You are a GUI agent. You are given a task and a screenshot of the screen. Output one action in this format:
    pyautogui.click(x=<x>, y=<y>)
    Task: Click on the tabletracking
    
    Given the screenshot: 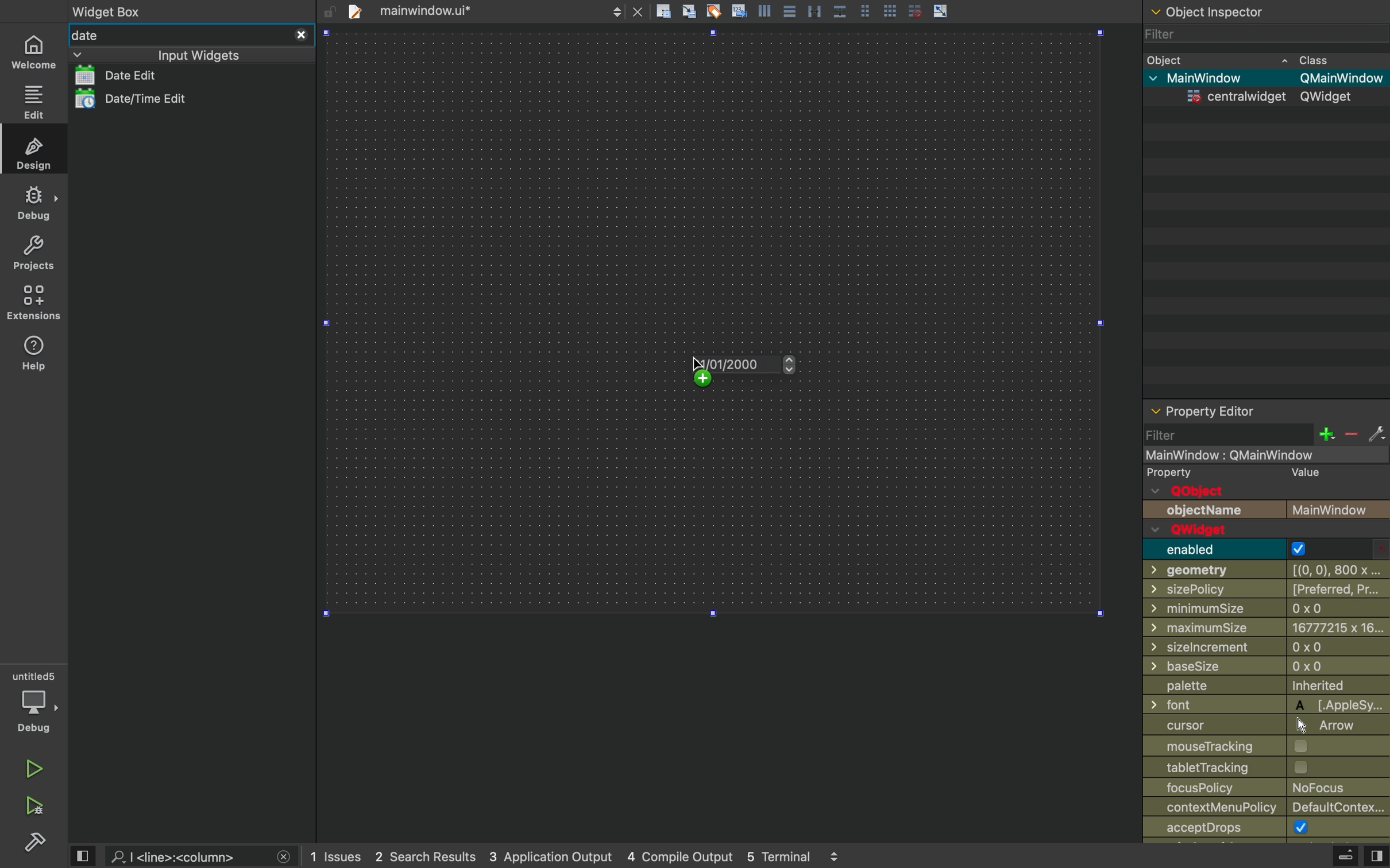 What is the action you would take?
    pyautogui.click(x=1266, y=768)
    